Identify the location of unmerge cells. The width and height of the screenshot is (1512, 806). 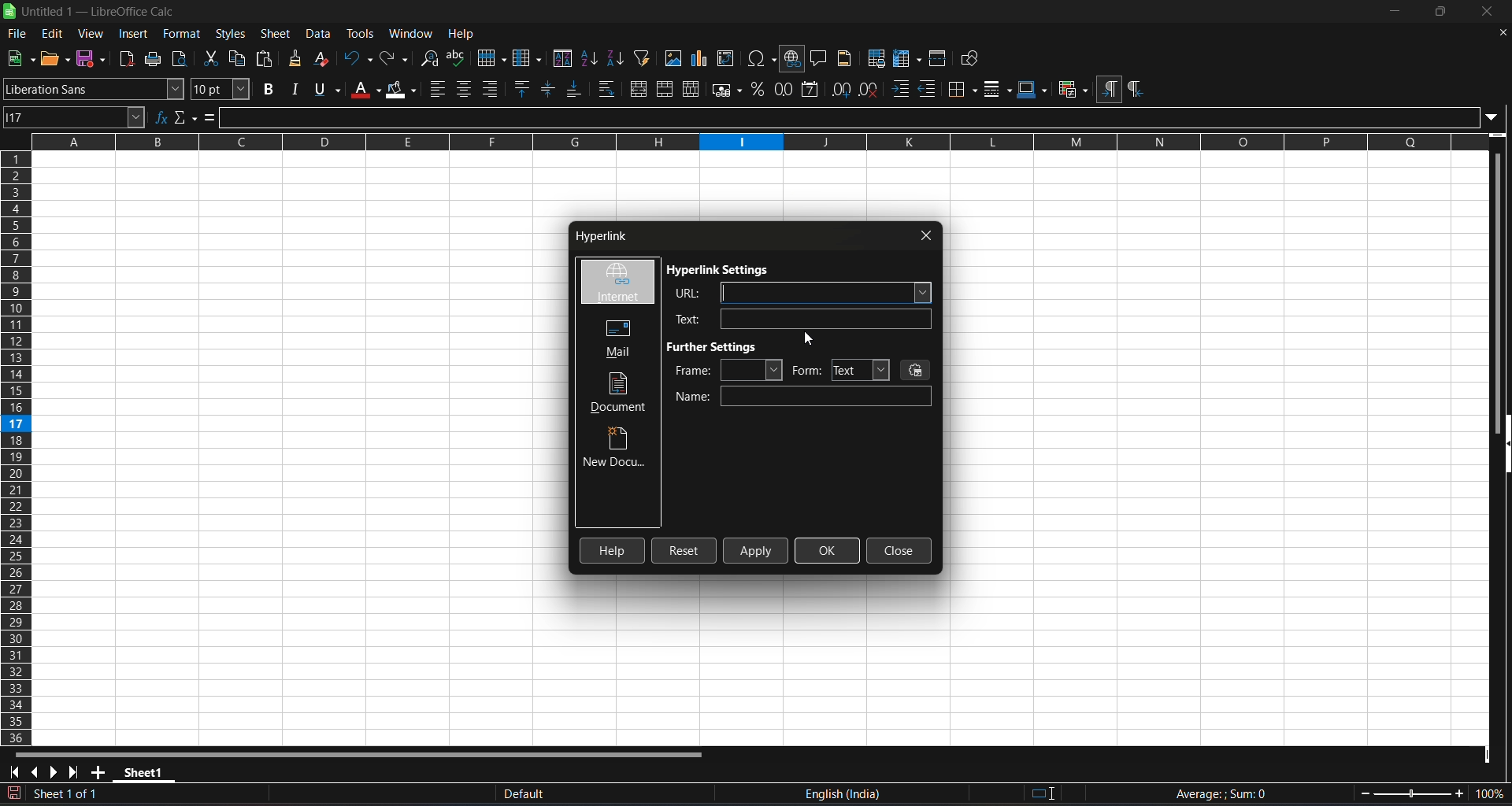
(692, 89).